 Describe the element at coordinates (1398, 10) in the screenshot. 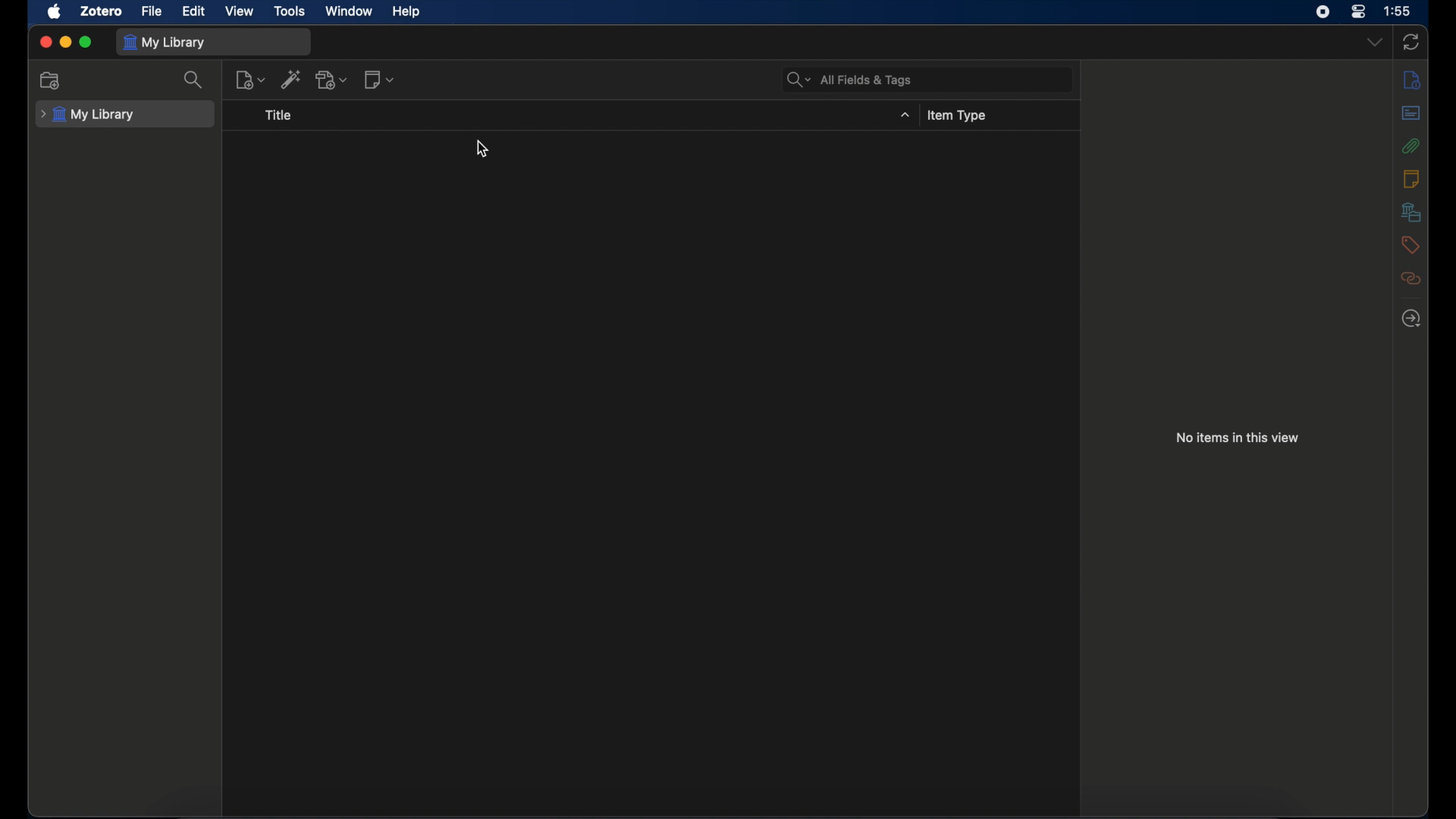

I see `time` at that location.